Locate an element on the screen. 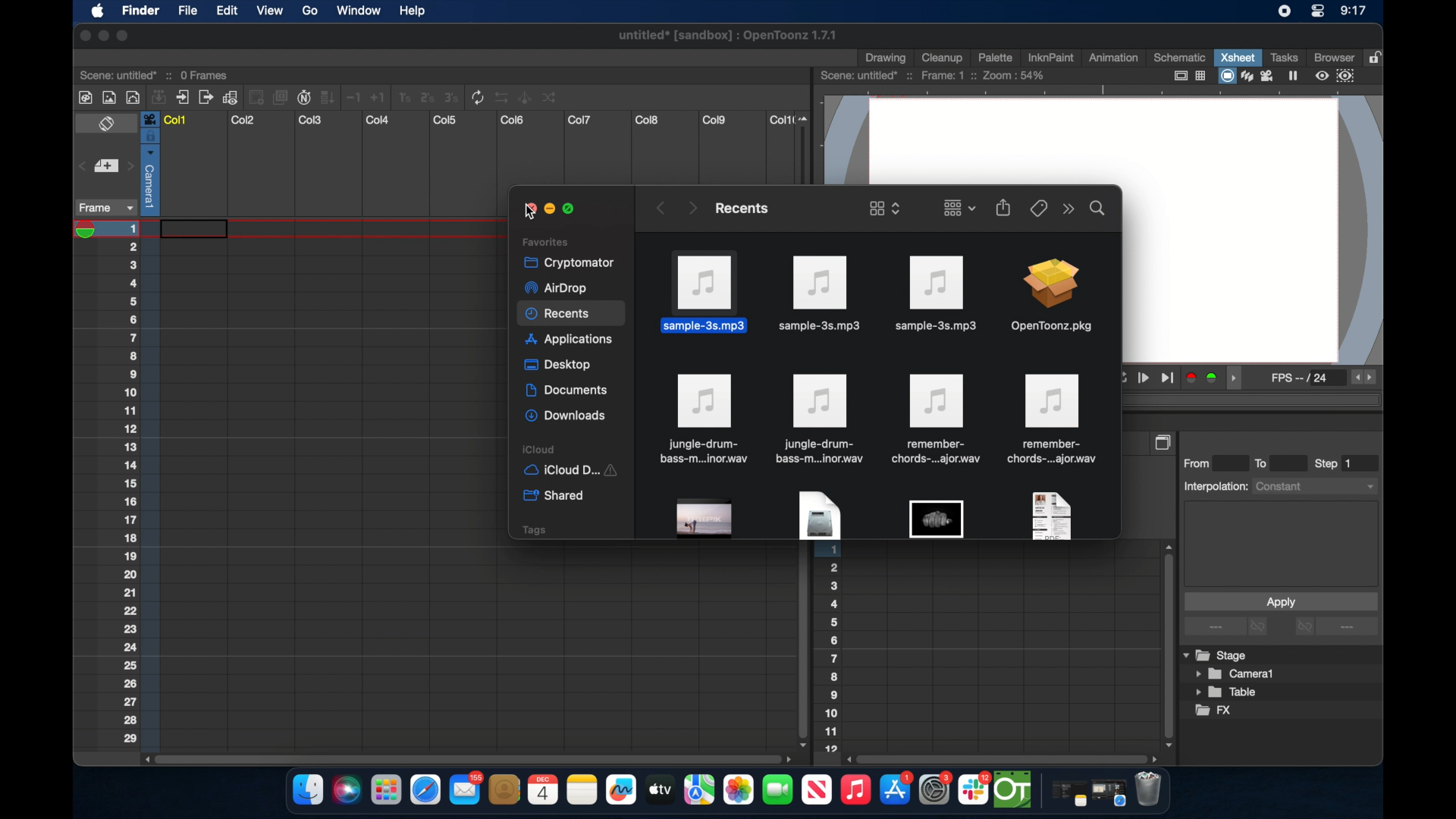  freeform is located at coordinates (622, 790).